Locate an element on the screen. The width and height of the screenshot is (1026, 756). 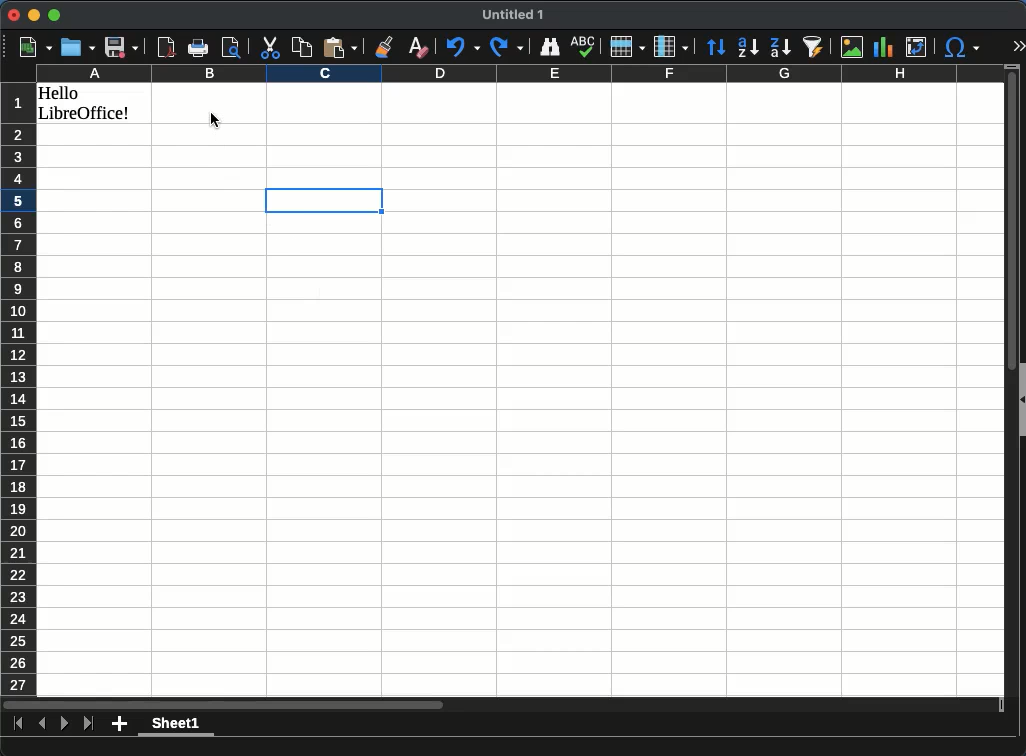
untitled 1 is located at coordinates (514, 16).